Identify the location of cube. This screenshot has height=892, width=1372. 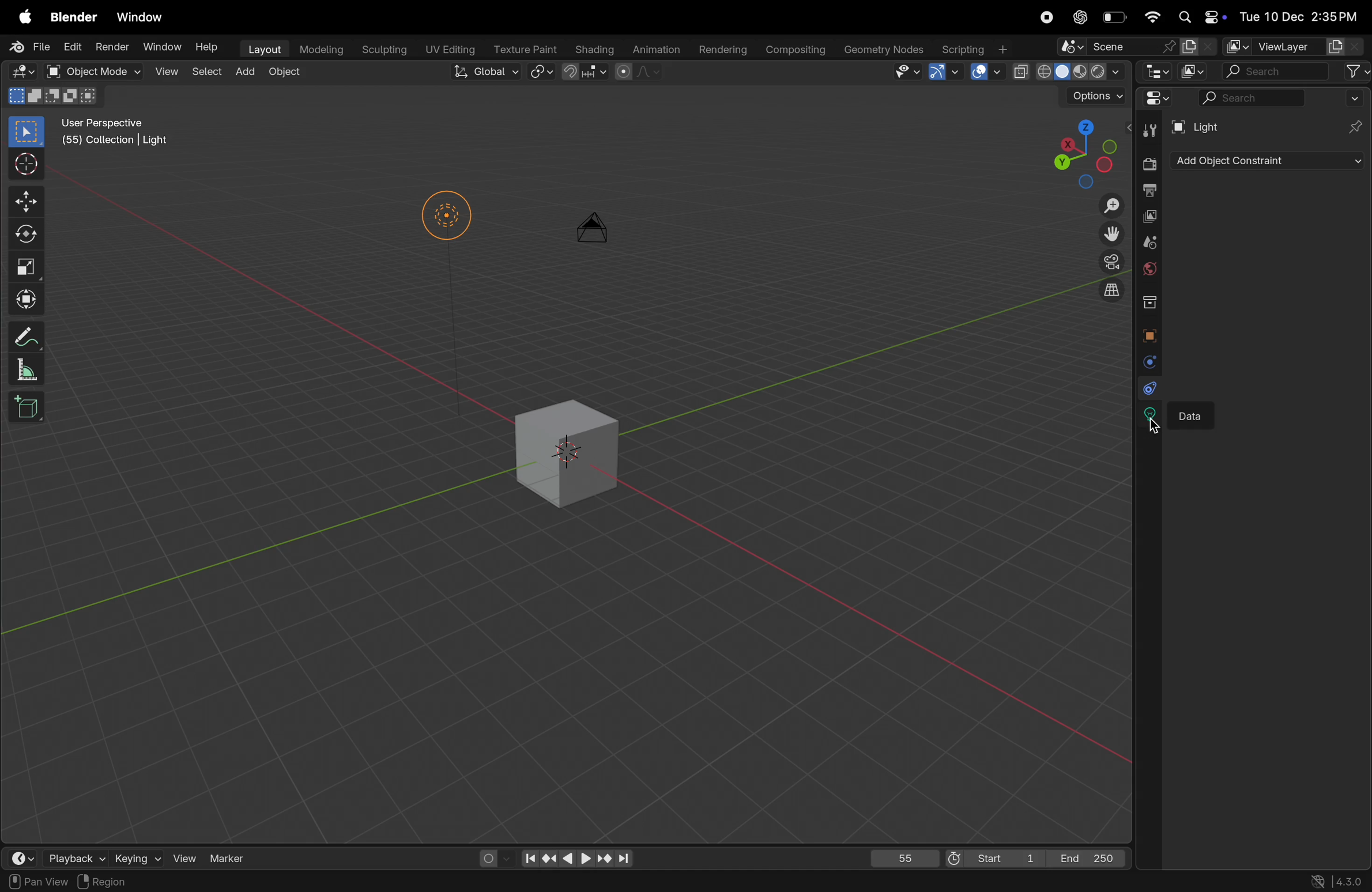
(30, 411).